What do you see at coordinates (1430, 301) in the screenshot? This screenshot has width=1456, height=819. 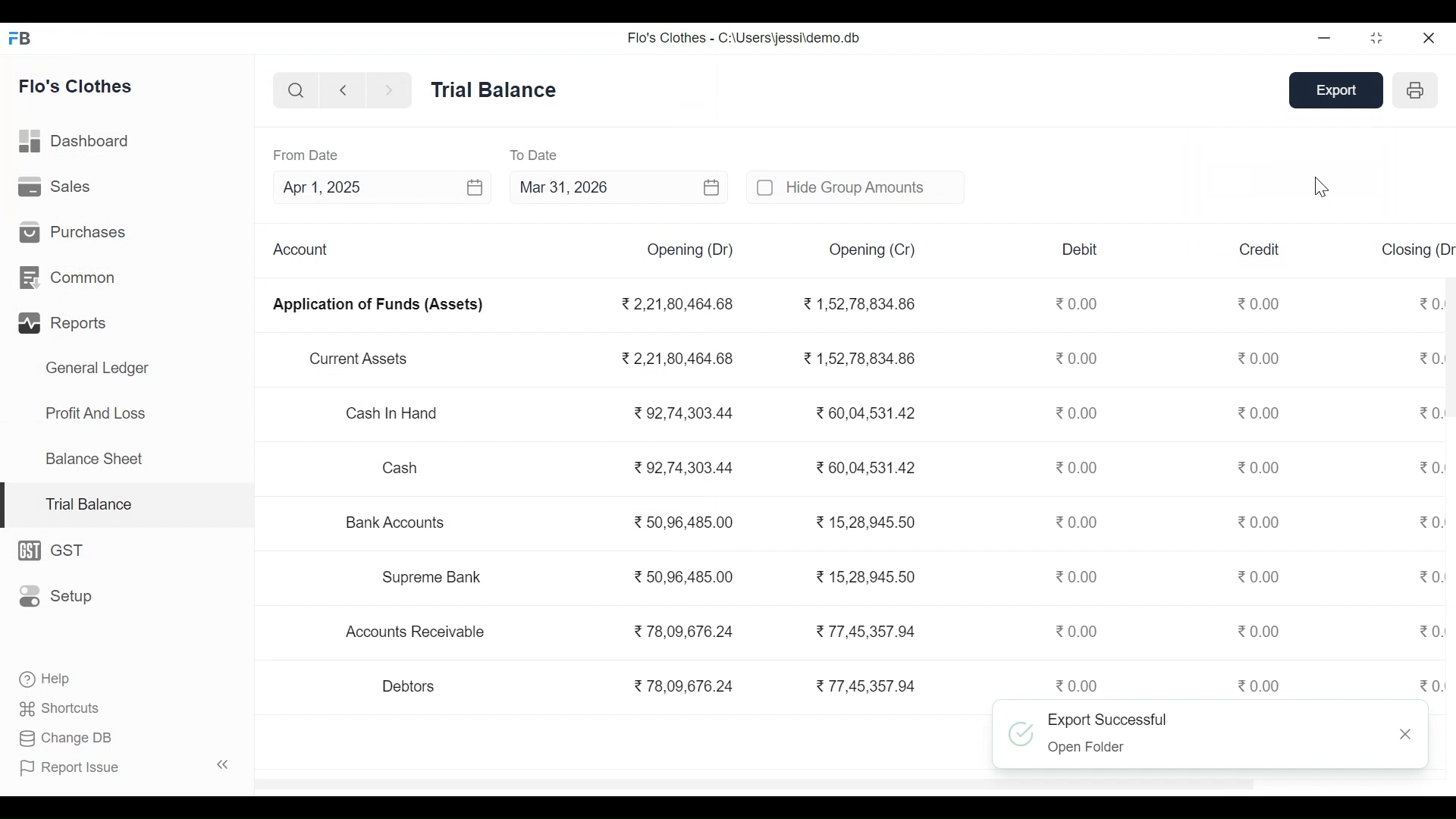 I see `"0.00` at bounding box center [1430, 301].